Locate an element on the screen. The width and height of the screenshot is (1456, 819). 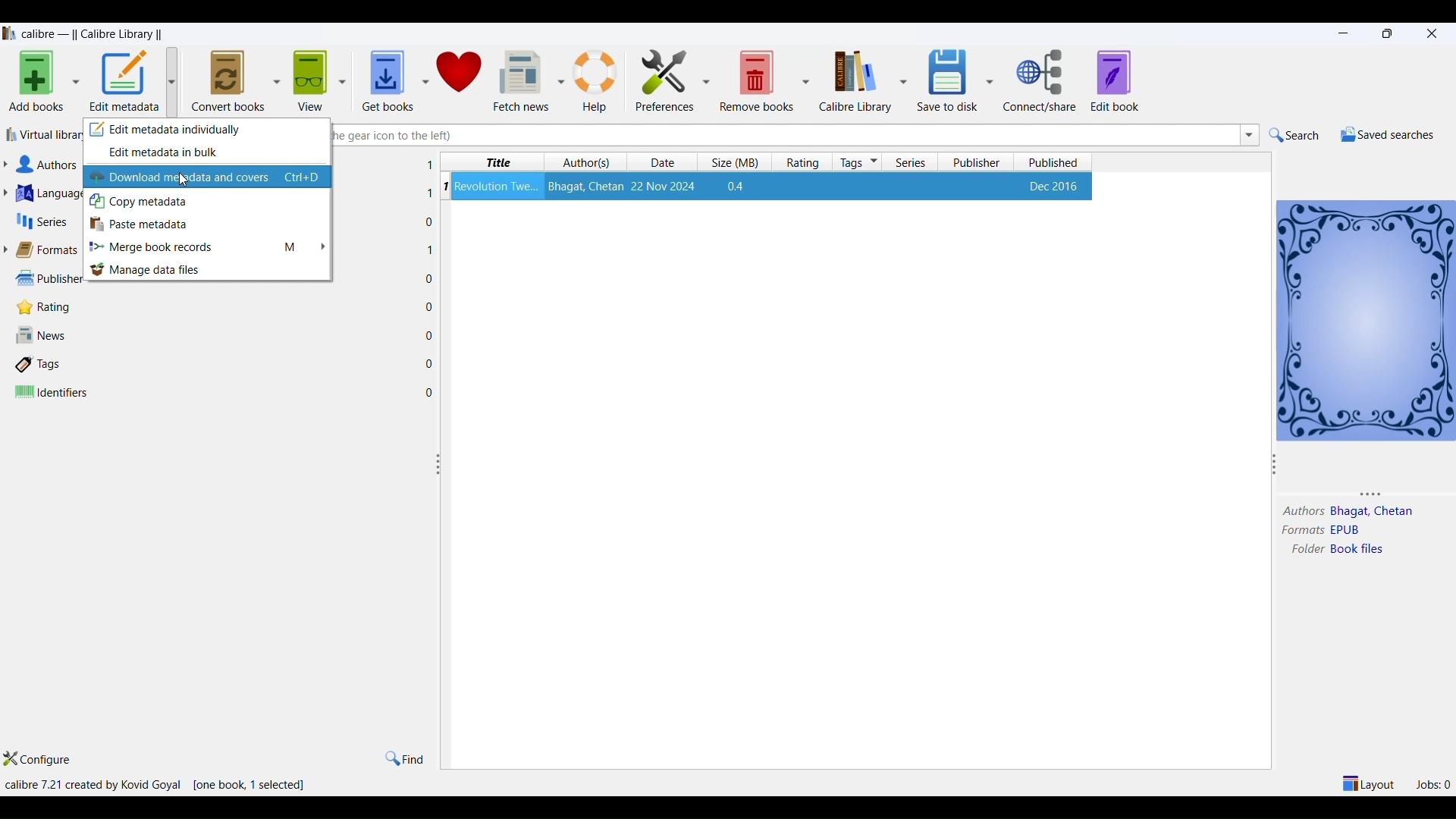
logo is located at coordinates (9, 32).